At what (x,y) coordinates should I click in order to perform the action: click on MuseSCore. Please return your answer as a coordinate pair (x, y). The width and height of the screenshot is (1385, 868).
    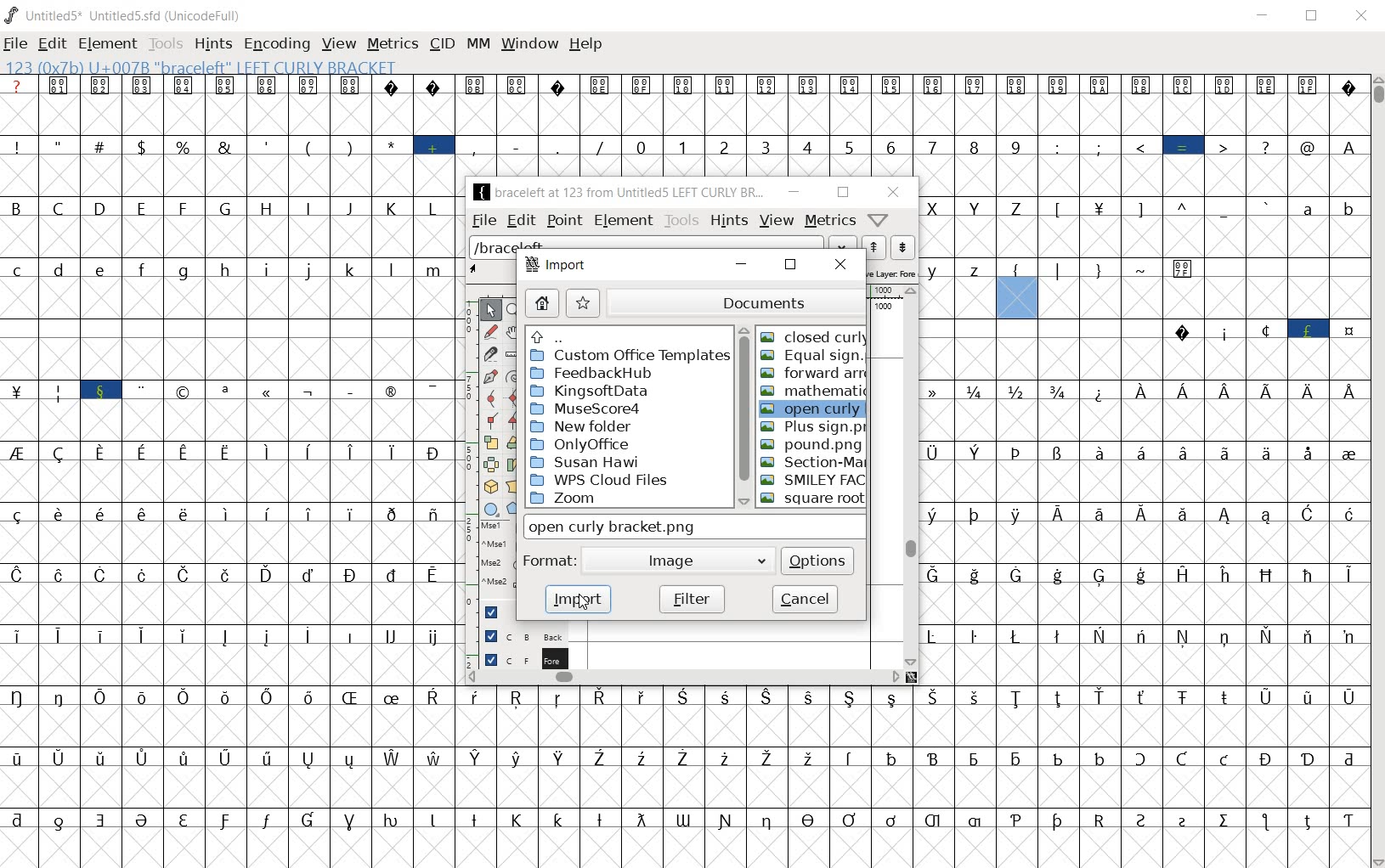
    Looking at the image, I should click on (586, 408).